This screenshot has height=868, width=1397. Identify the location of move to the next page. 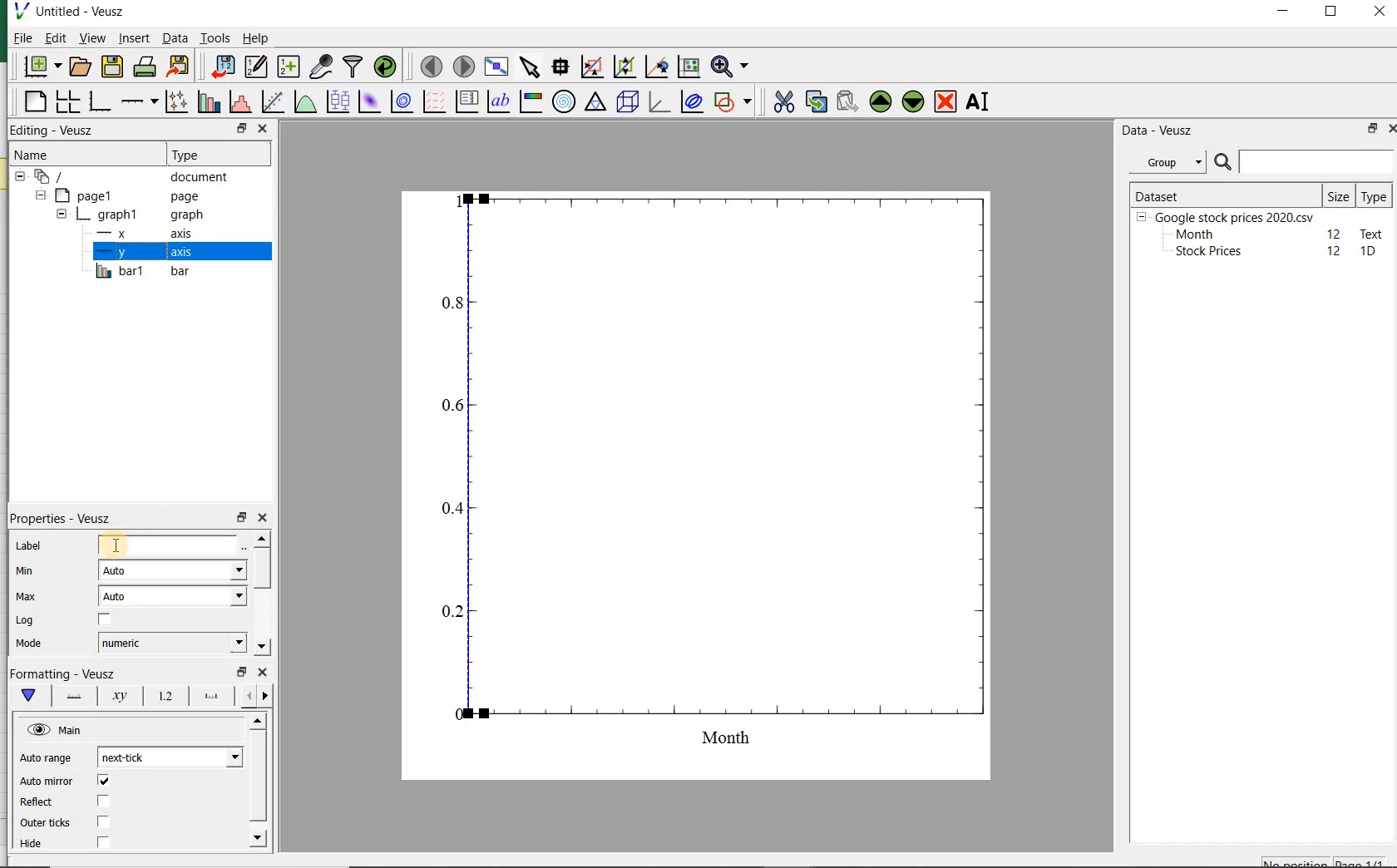
(464, 67).